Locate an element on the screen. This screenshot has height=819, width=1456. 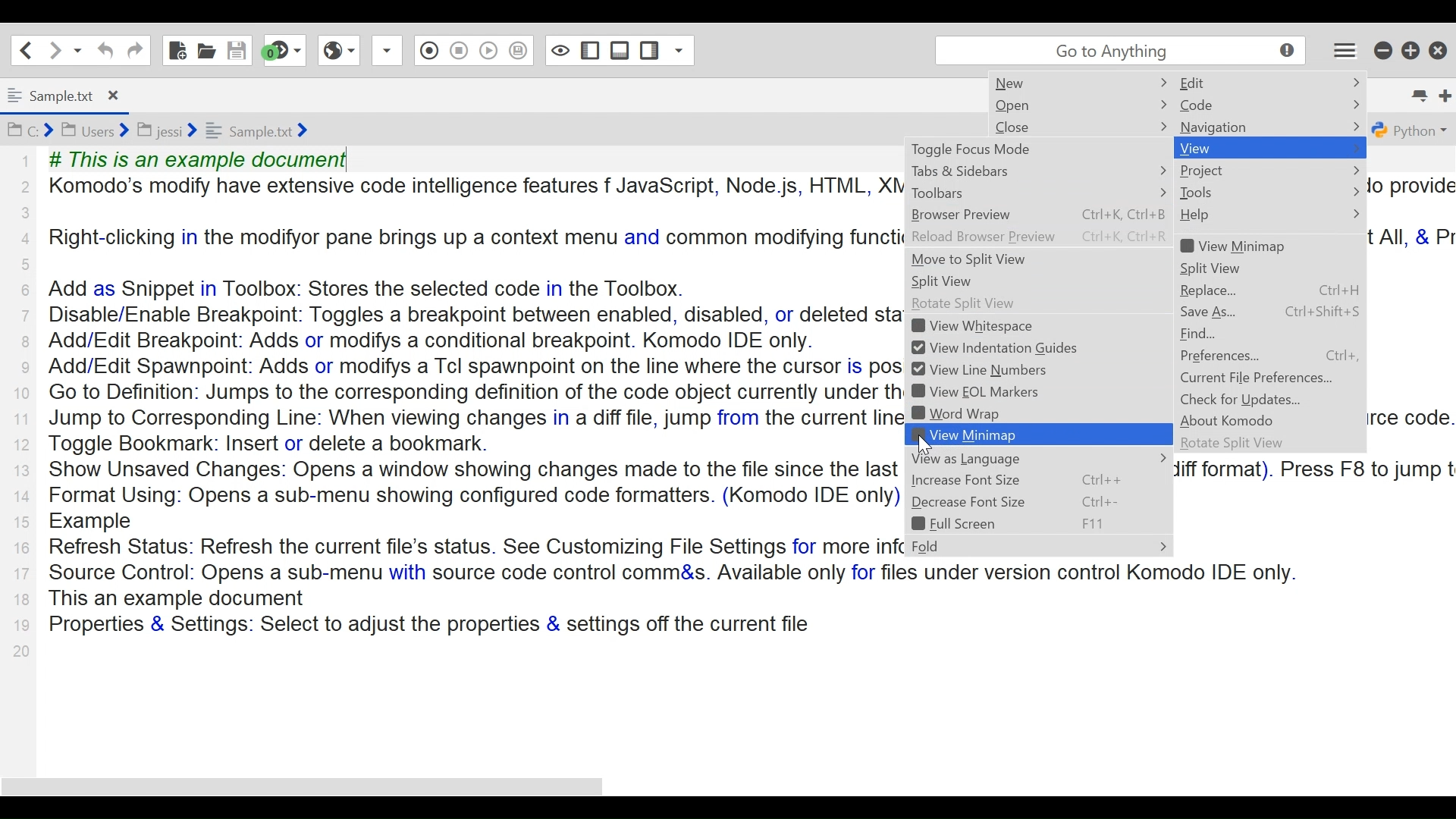
Record Macro is located at coordinates (385, 52).